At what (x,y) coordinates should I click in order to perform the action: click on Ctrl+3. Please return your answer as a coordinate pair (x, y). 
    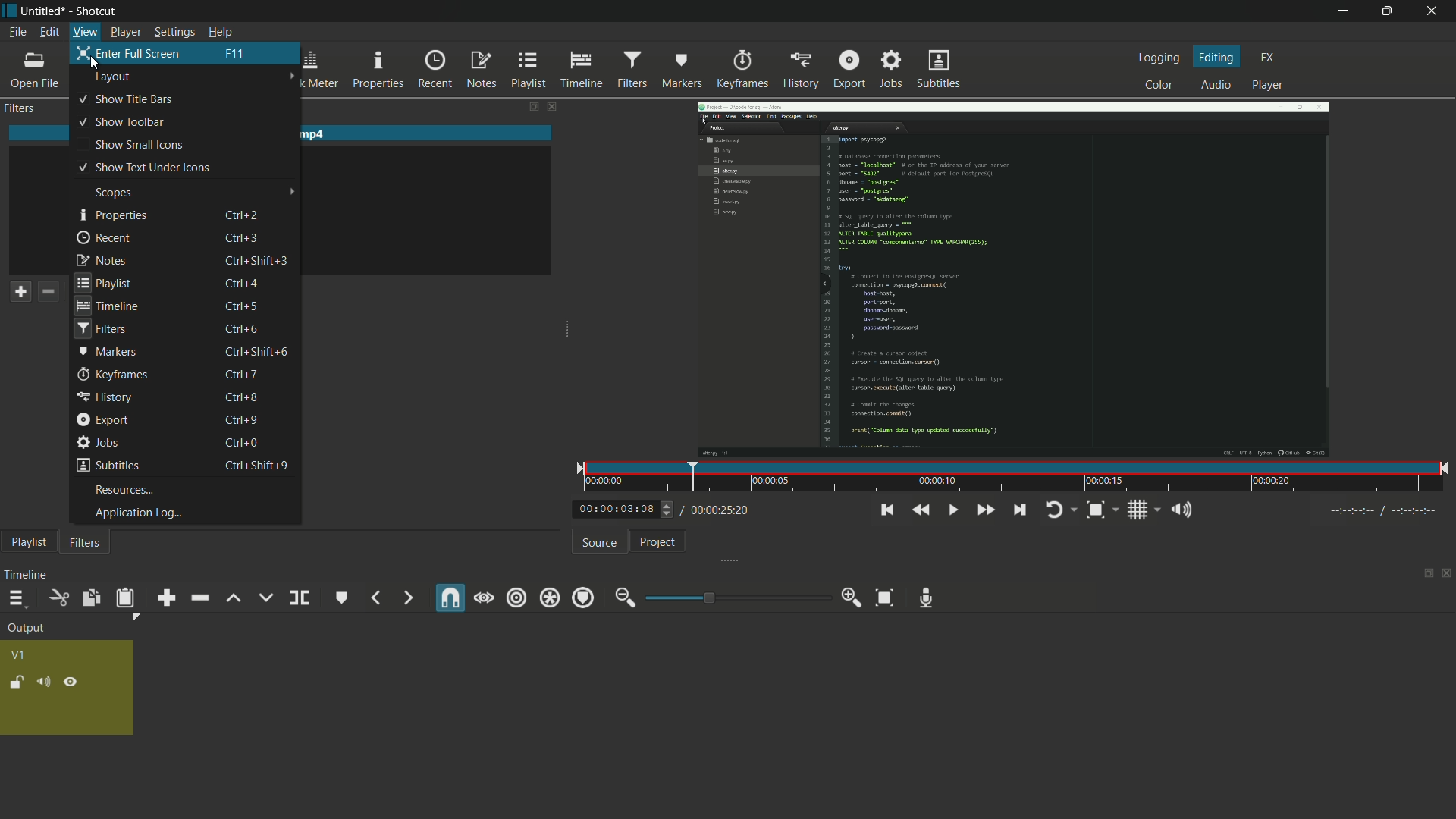
    Looking at the image, I should click on (247, 236).